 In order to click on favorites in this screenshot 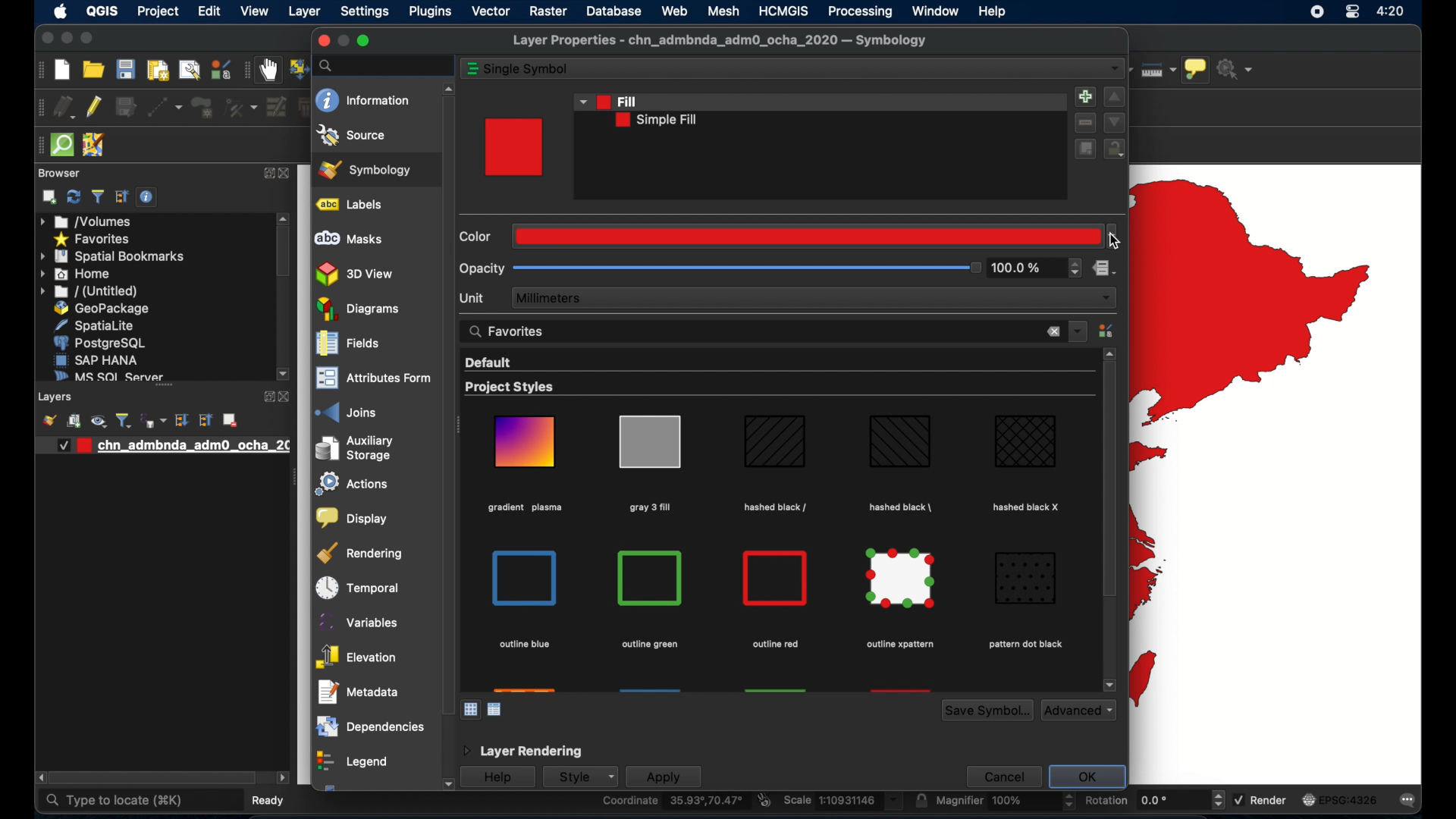, I will do `click(509, 330)`.